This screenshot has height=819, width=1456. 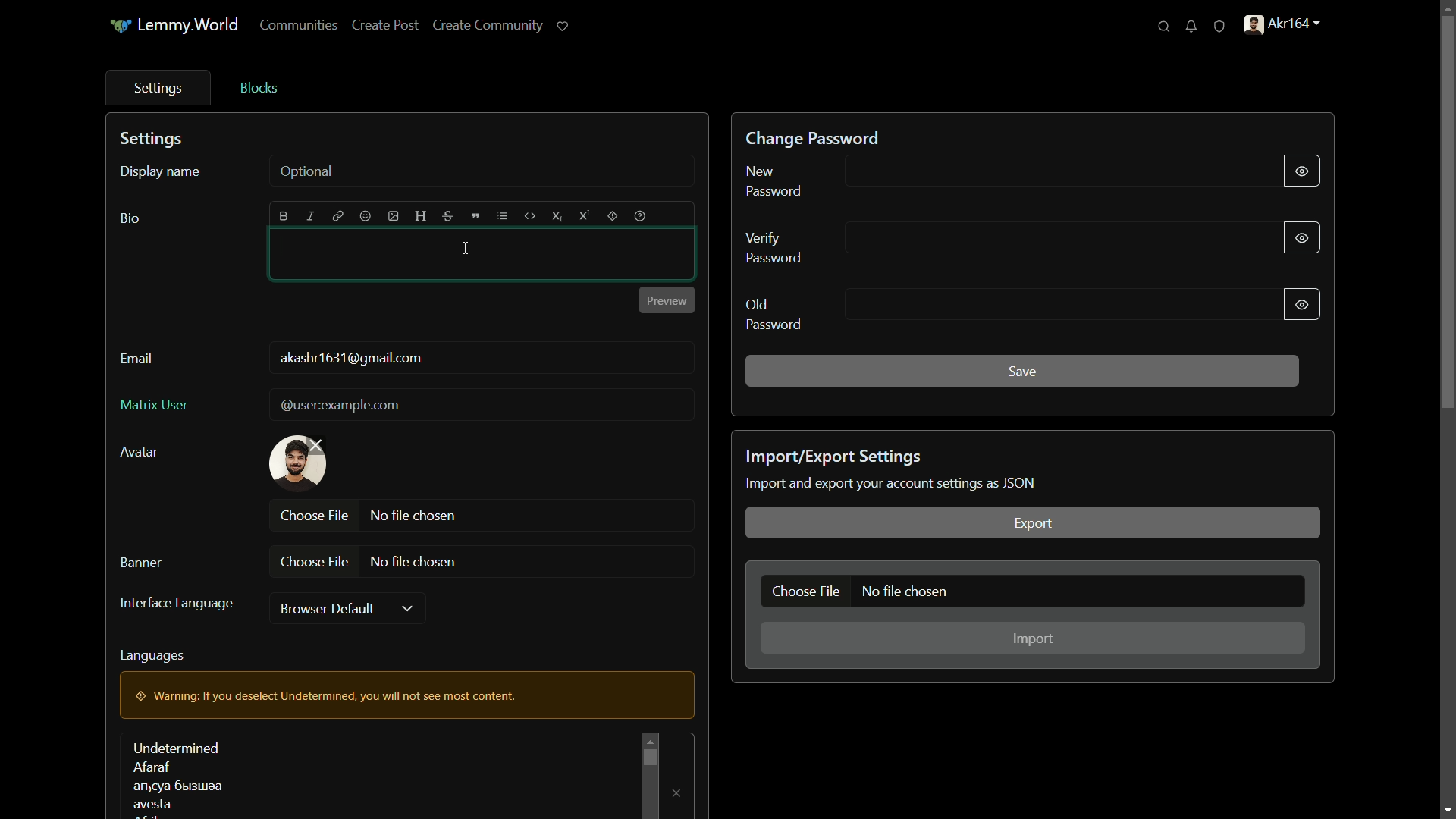 I want to click on warning pop up, so click(x=403, y=695).